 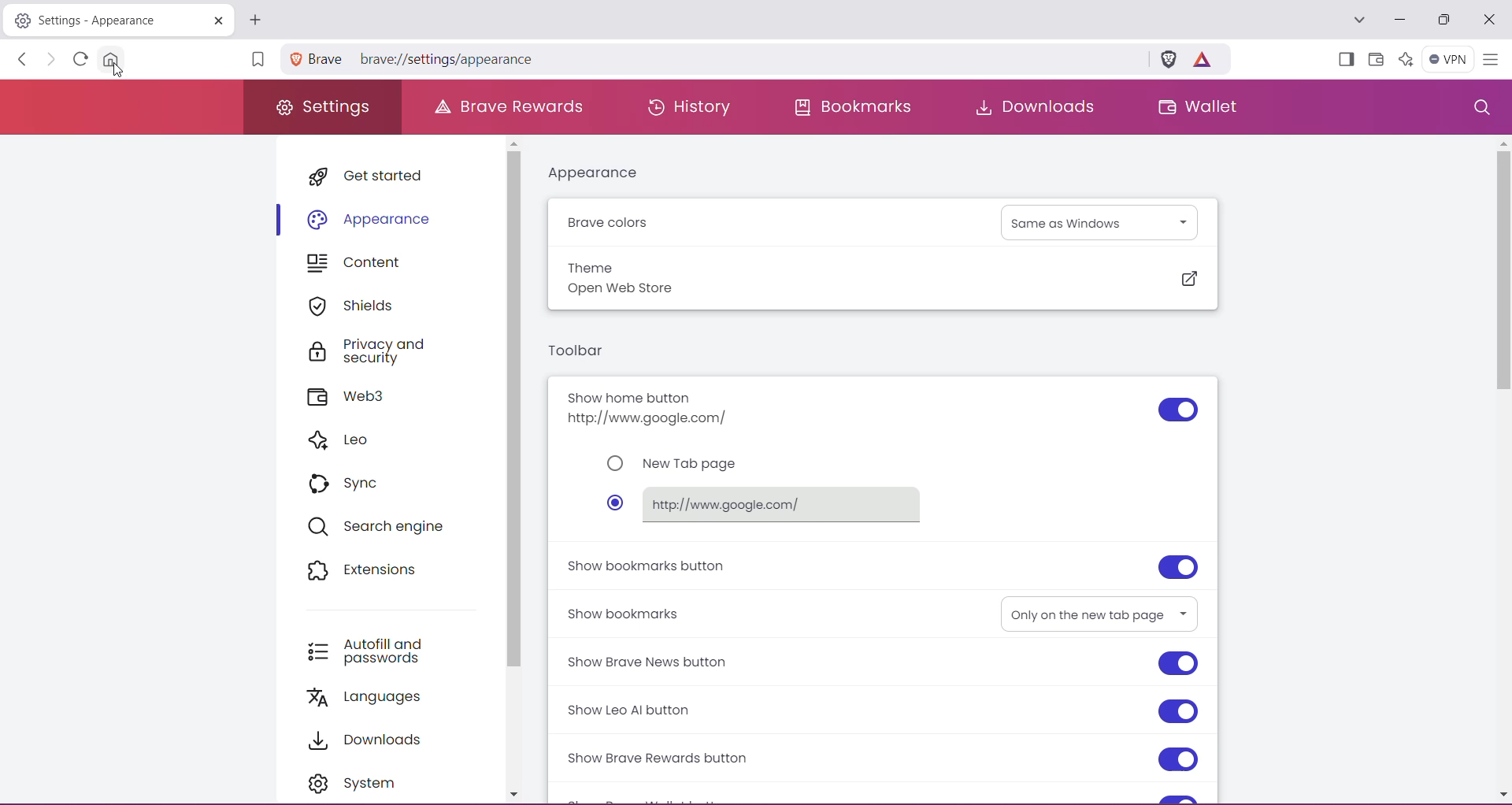 What do you see at coordinates (644, 710) in the screenshot?
I see `Show Leo AI button` at bounding box center [644, 710].